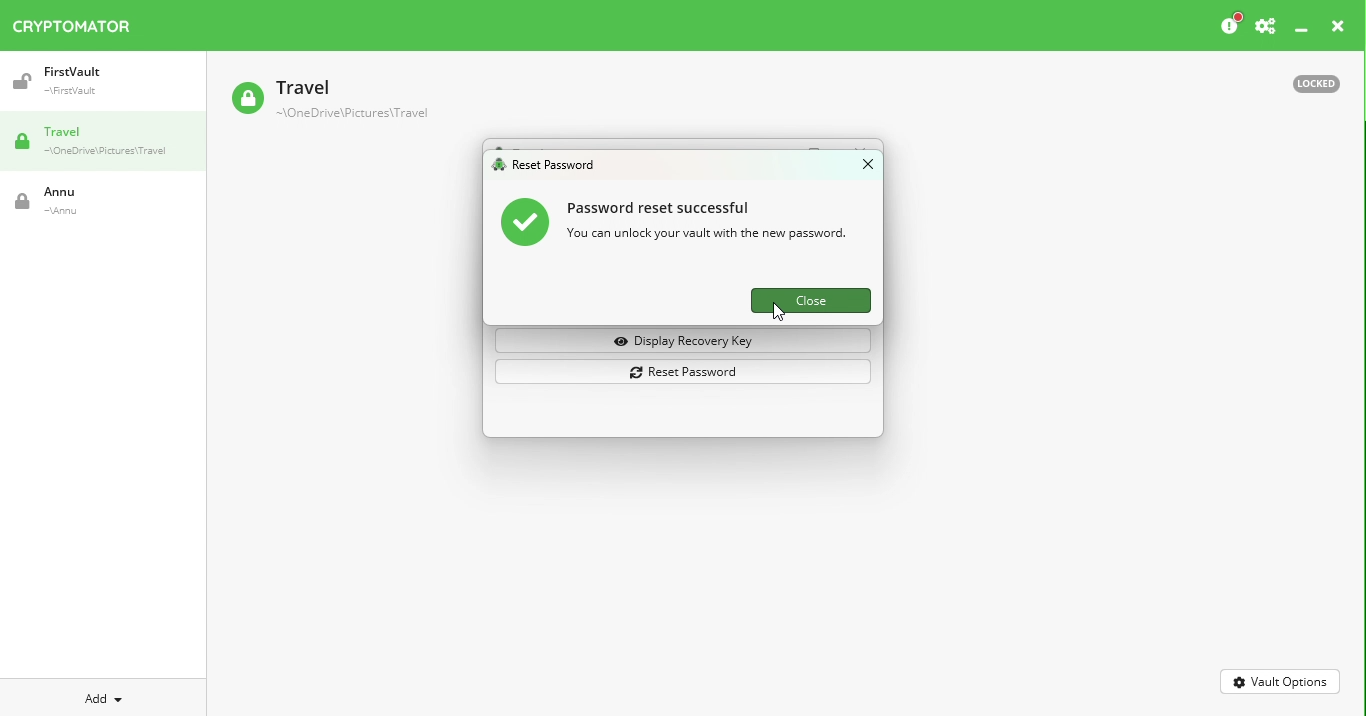 The image size is (1366, 716). I want to click on Locked, so click(1307, 82).